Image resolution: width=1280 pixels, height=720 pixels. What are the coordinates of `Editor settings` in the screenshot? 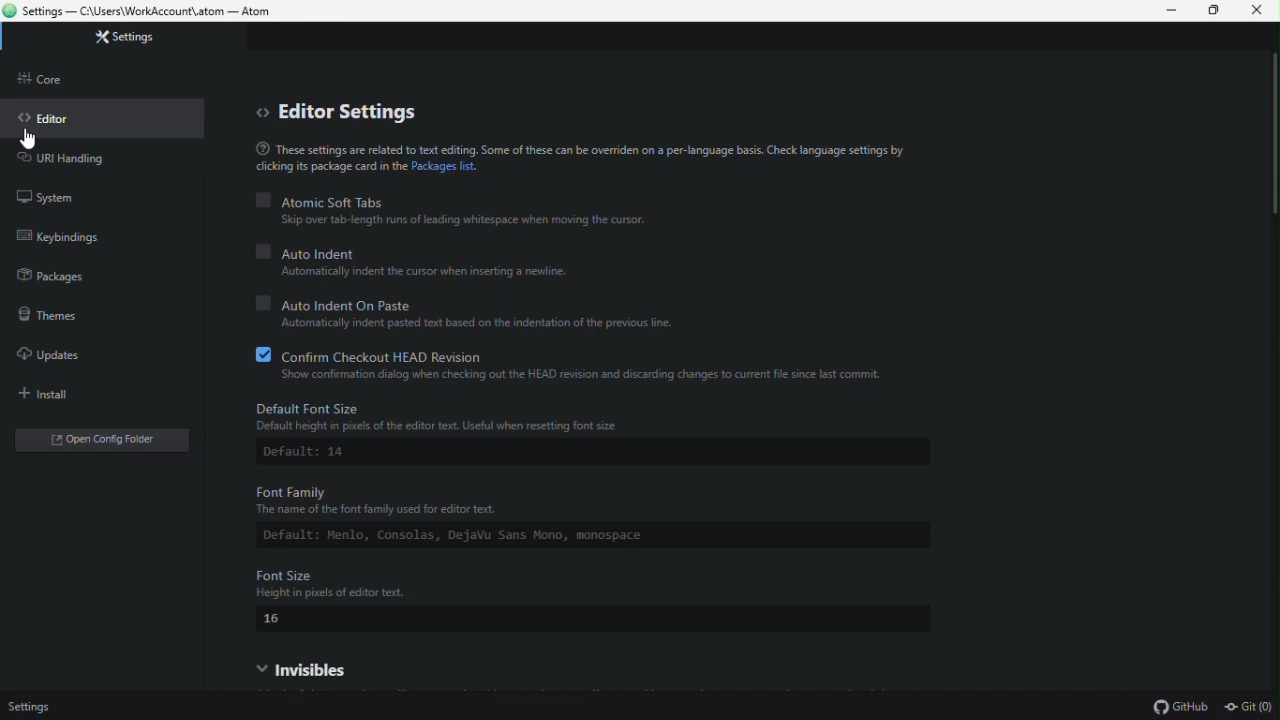 It's located at (346, 113).